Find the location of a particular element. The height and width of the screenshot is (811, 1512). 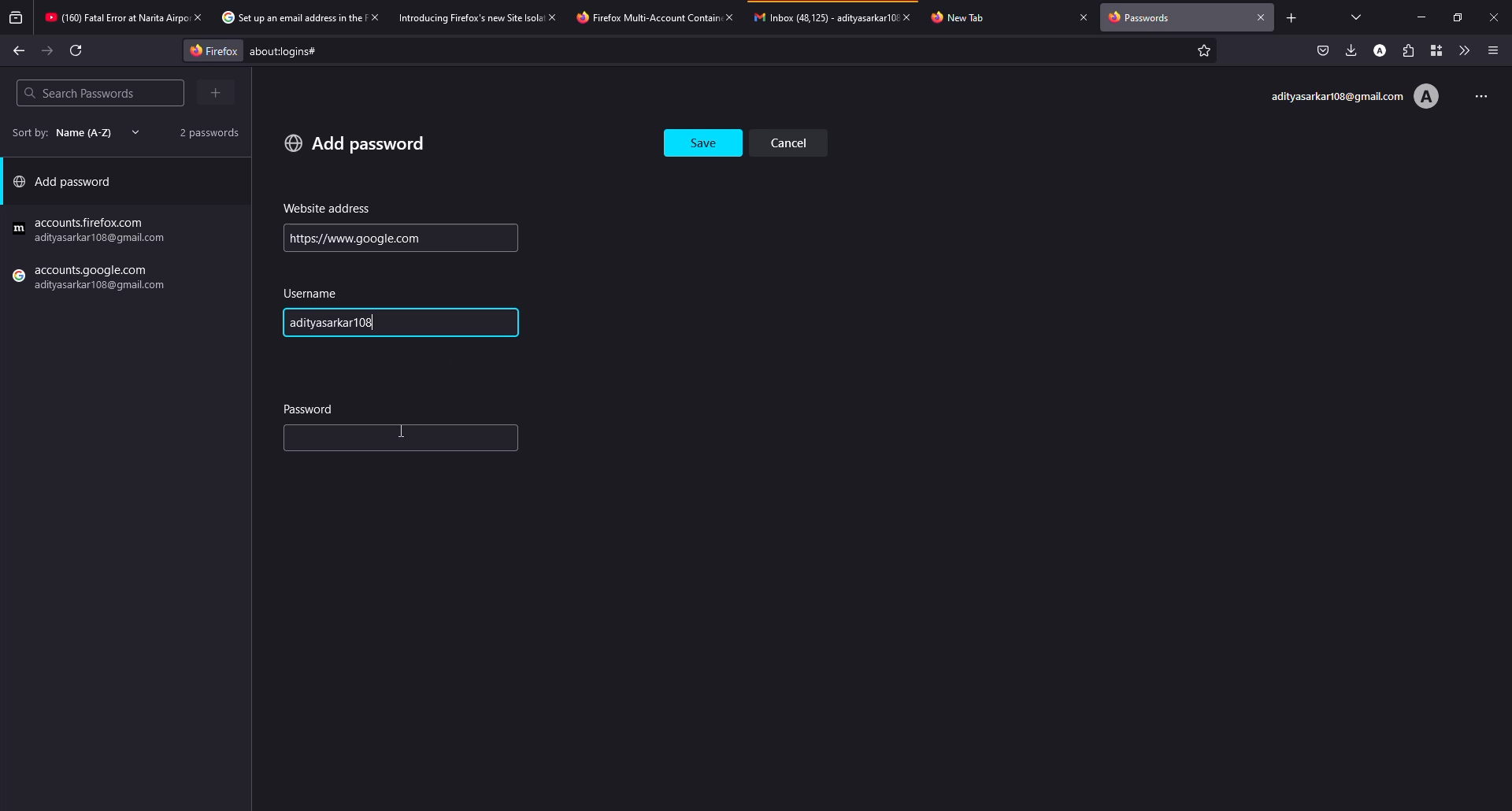

tab is located at coordinates (469, 17).